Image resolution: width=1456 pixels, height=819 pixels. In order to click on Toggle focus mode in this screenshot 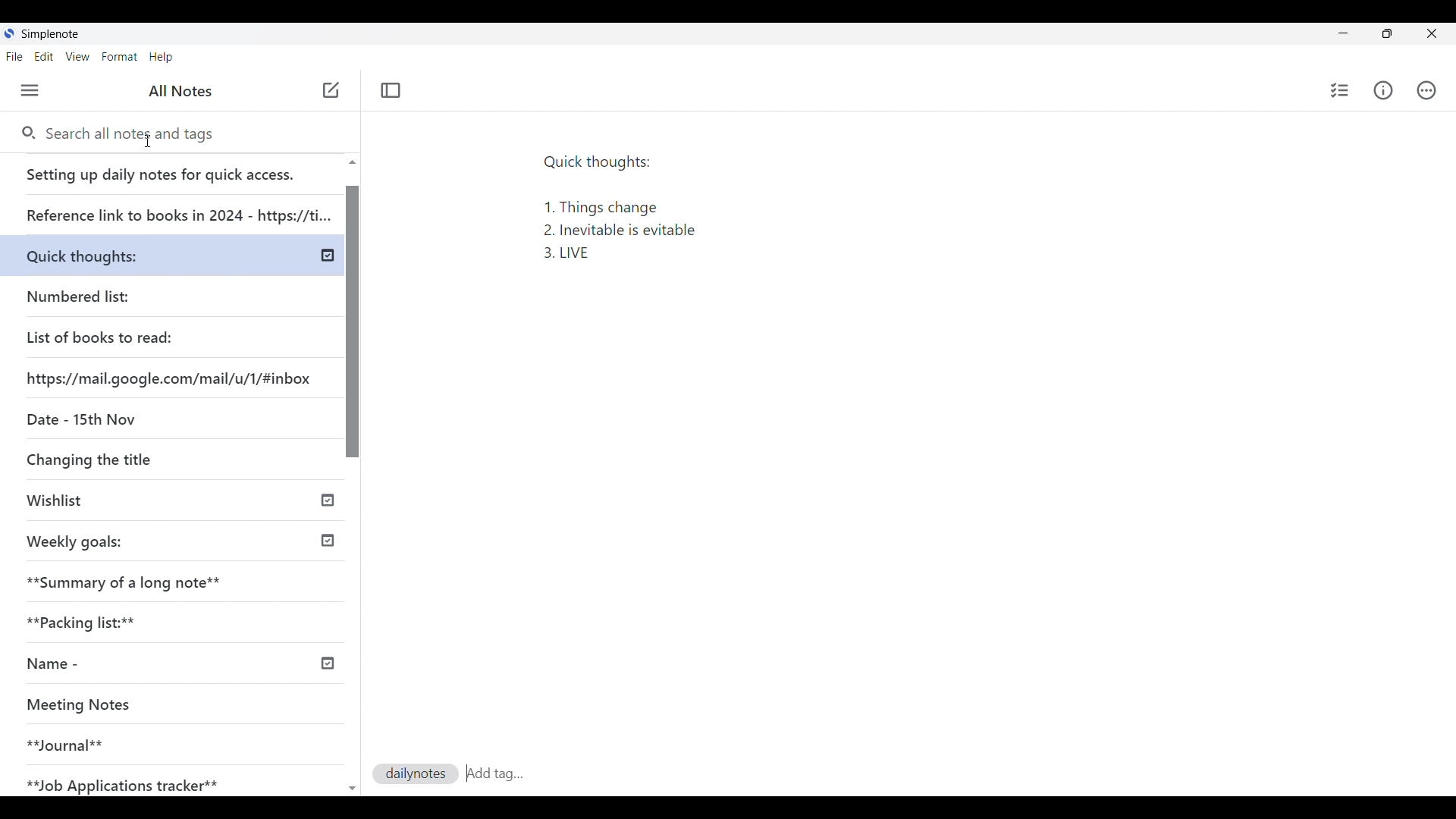, I will do `click(391, 91)`.